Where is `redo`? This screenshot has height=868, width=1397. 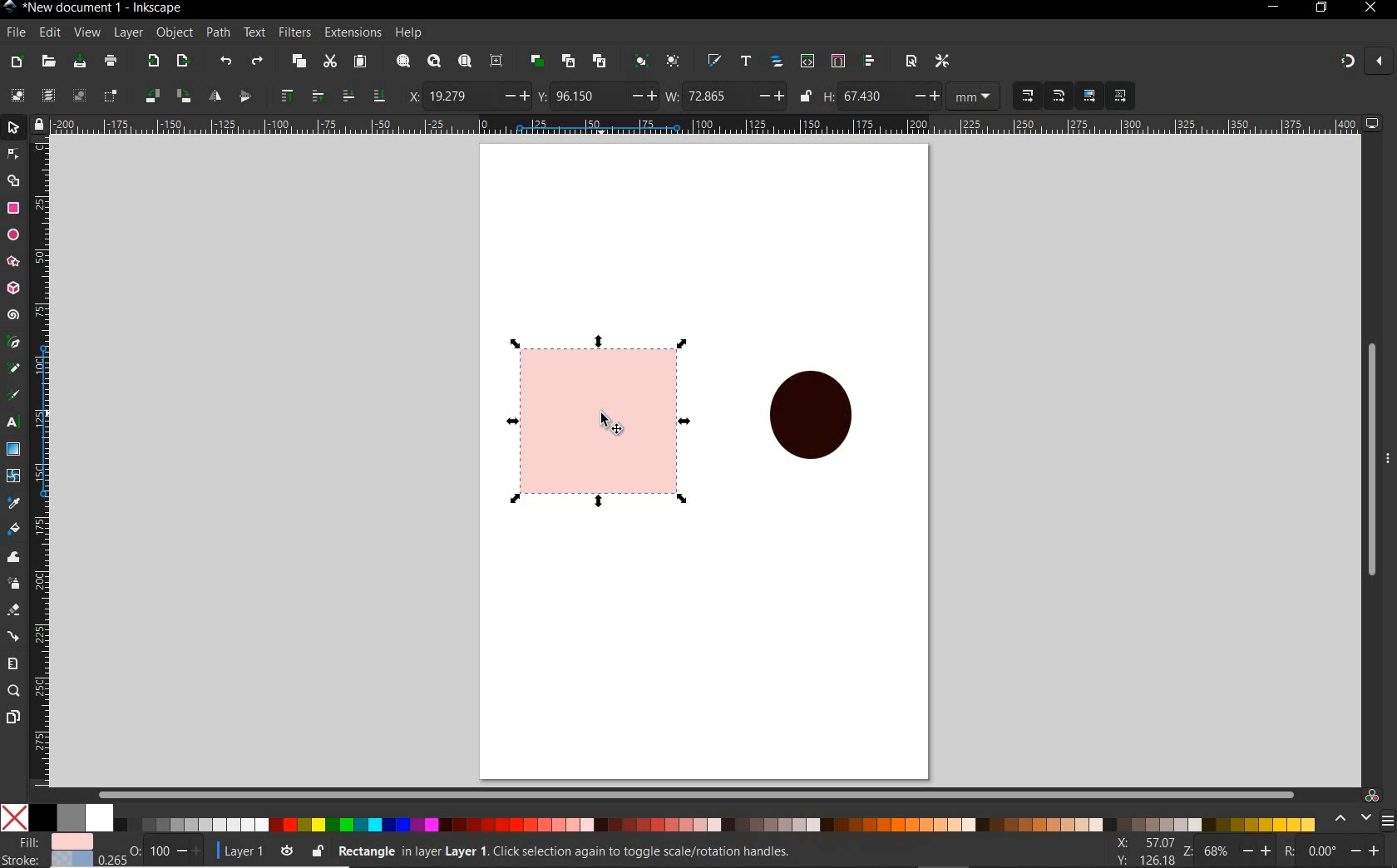
redo is located at coordinates (257, 61).